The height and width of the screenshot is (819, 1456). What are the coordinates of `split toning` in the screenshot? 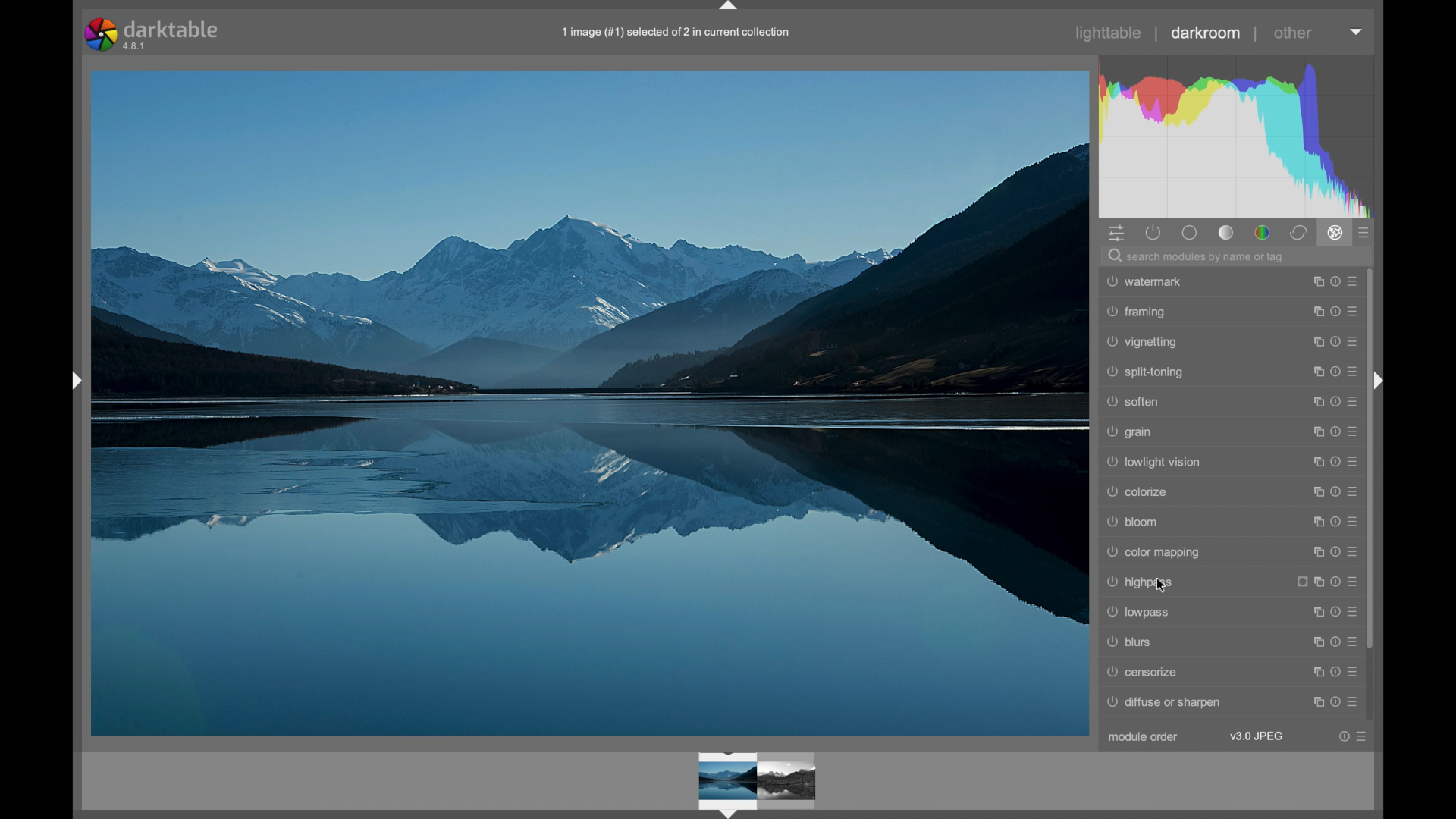 It's located at (1147, 372).